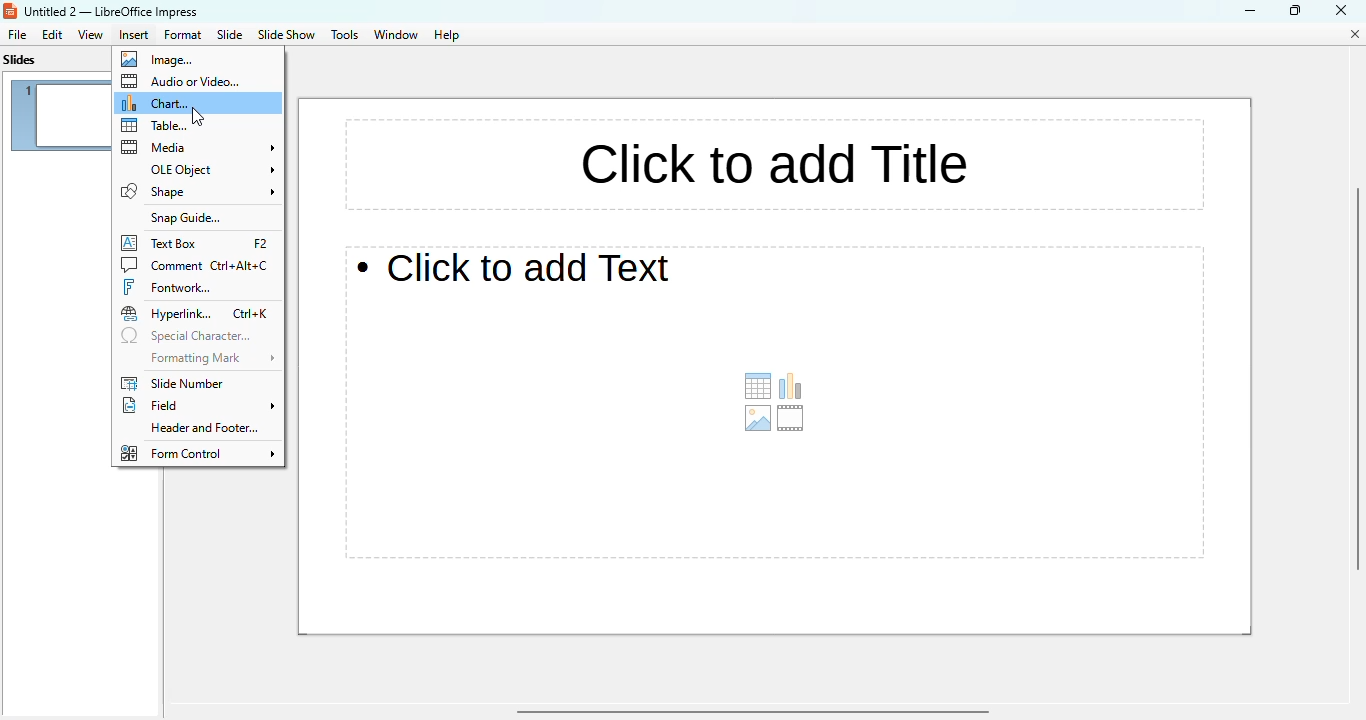 This screenshot has width=1366, height=720. I want to click on slide, so click(231, 34).